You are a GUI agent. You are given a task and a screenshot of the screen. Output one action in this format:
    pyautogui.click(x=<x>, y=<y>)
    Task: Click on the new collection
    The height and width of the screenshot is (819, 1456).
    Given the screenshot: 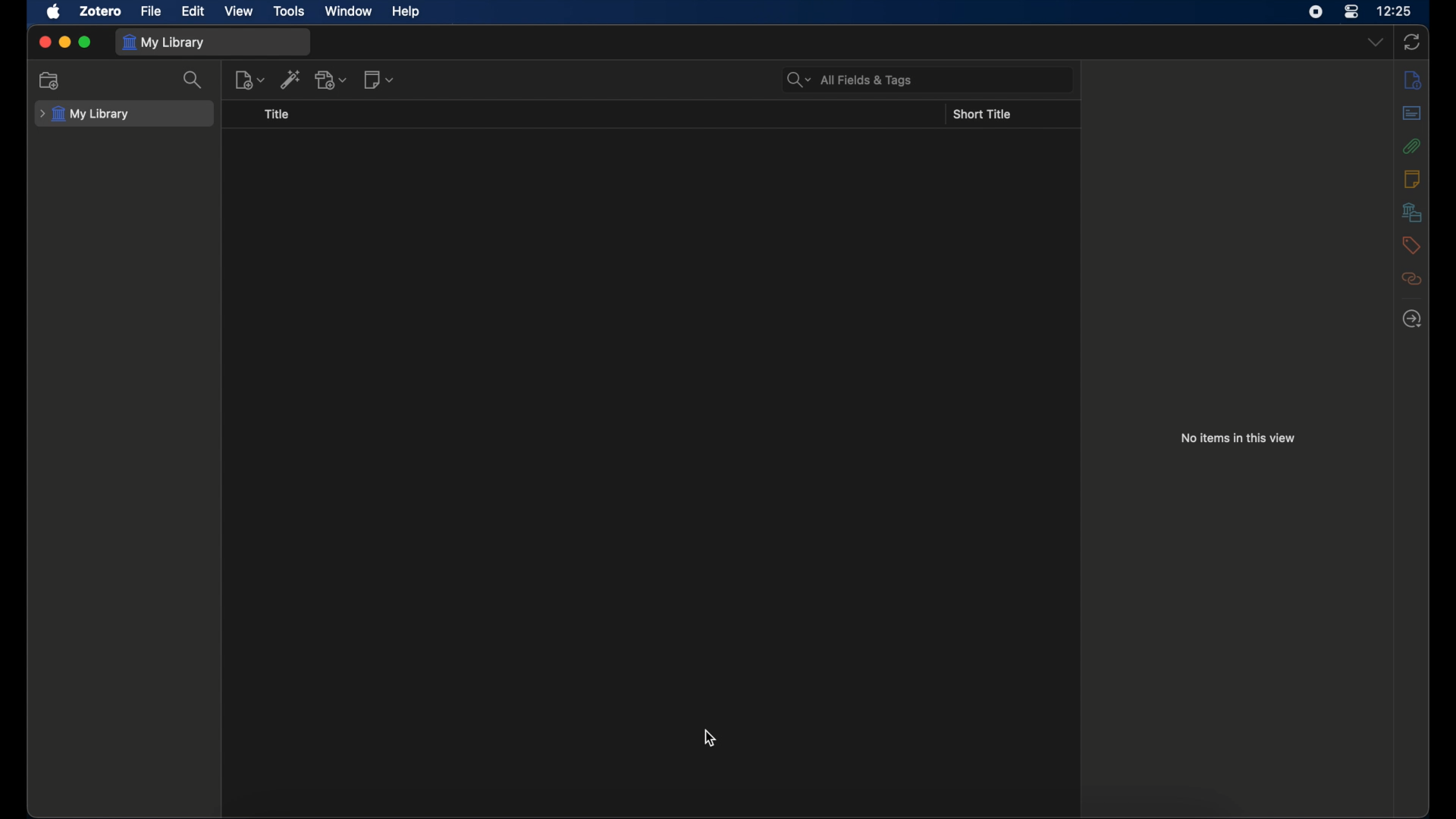 What is the action you would take?
    pyautogui.click(x=49, y=81)
    